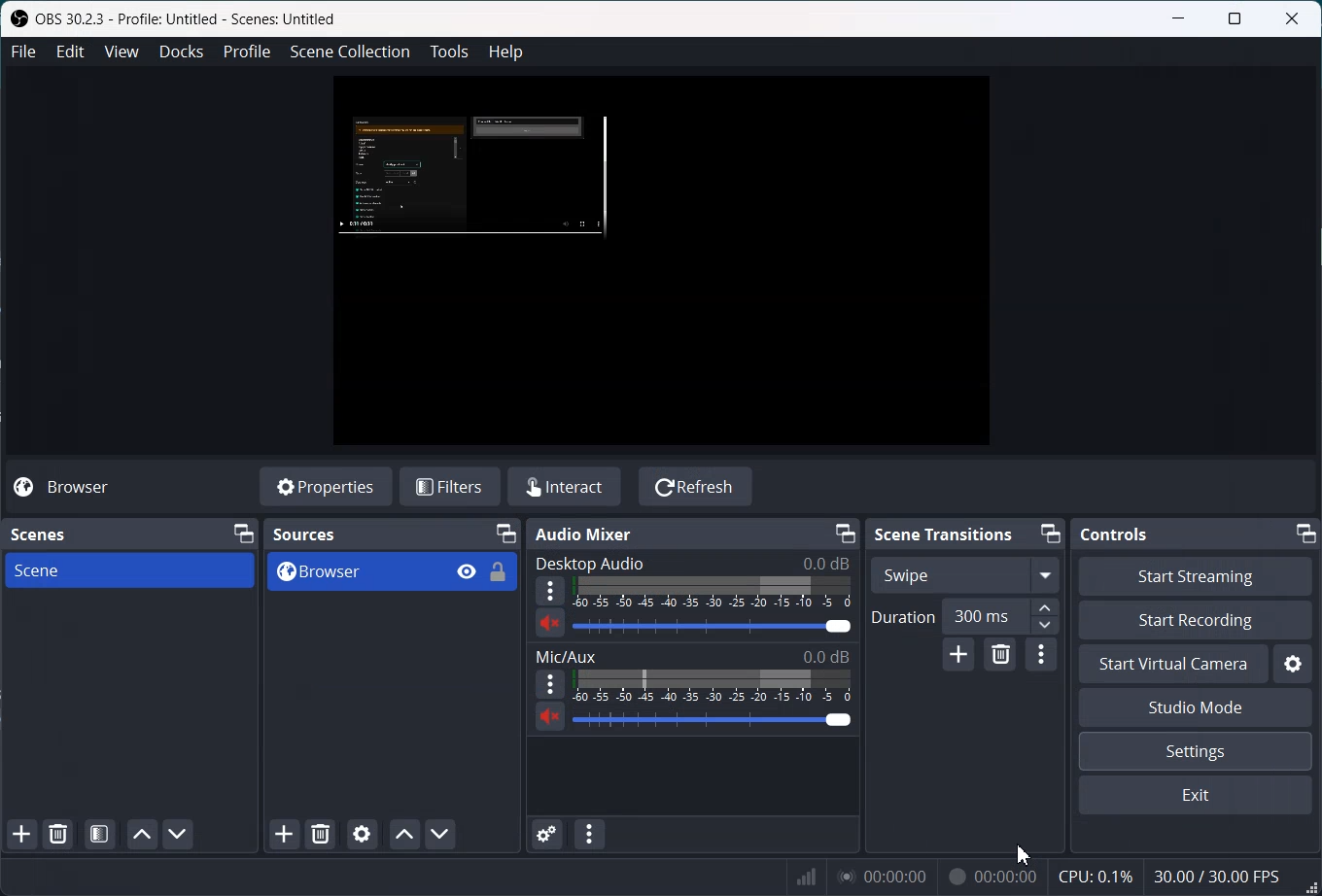  I want to click on Minimize, so click(1179, 17).